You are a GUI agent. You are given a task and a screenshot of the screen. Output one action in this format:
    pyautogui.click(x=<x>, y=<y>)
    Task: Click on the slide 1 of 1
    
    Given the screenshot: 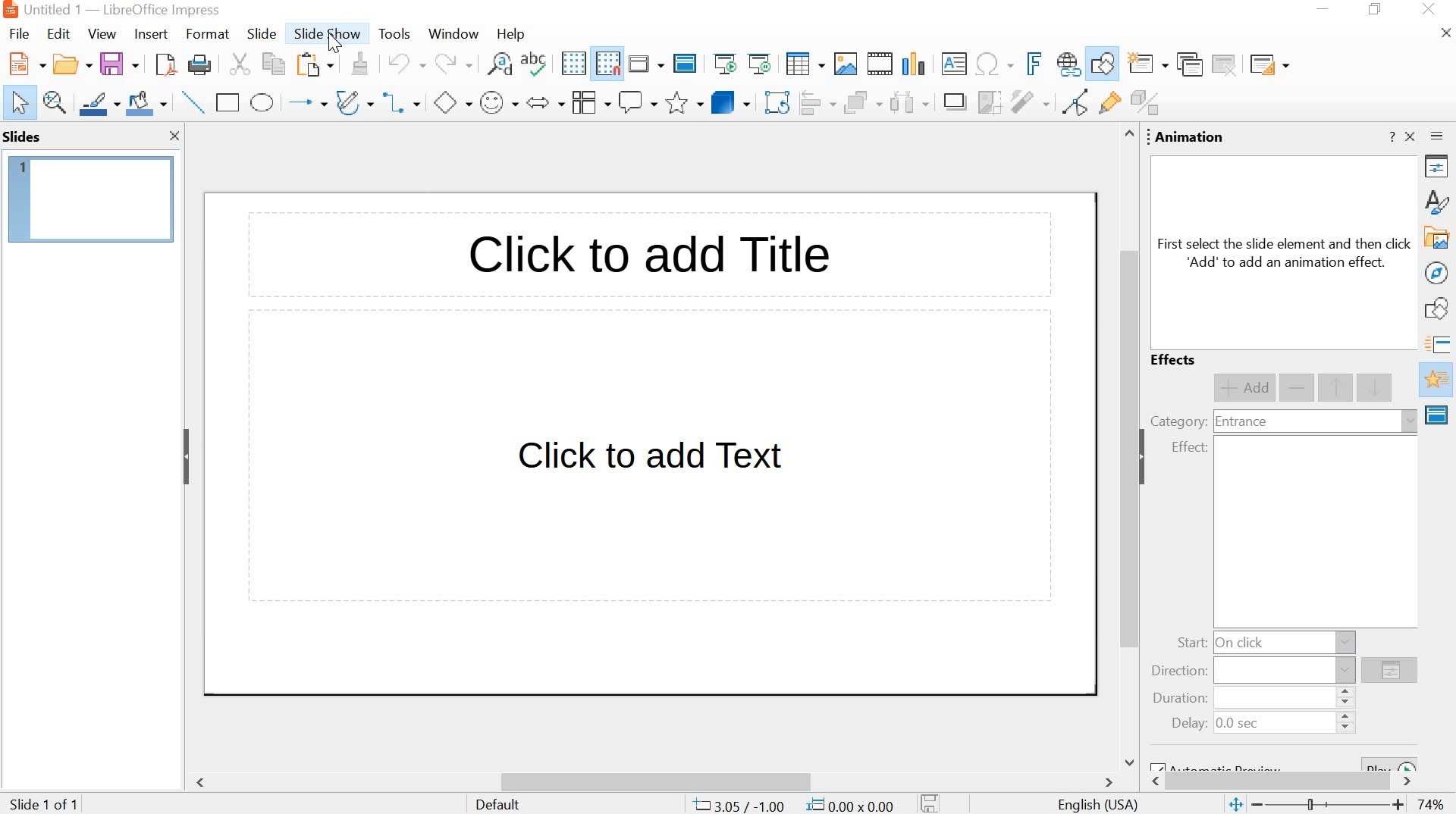 What is the action you would take?
    pyautogui.click(x=47, y=802)
    